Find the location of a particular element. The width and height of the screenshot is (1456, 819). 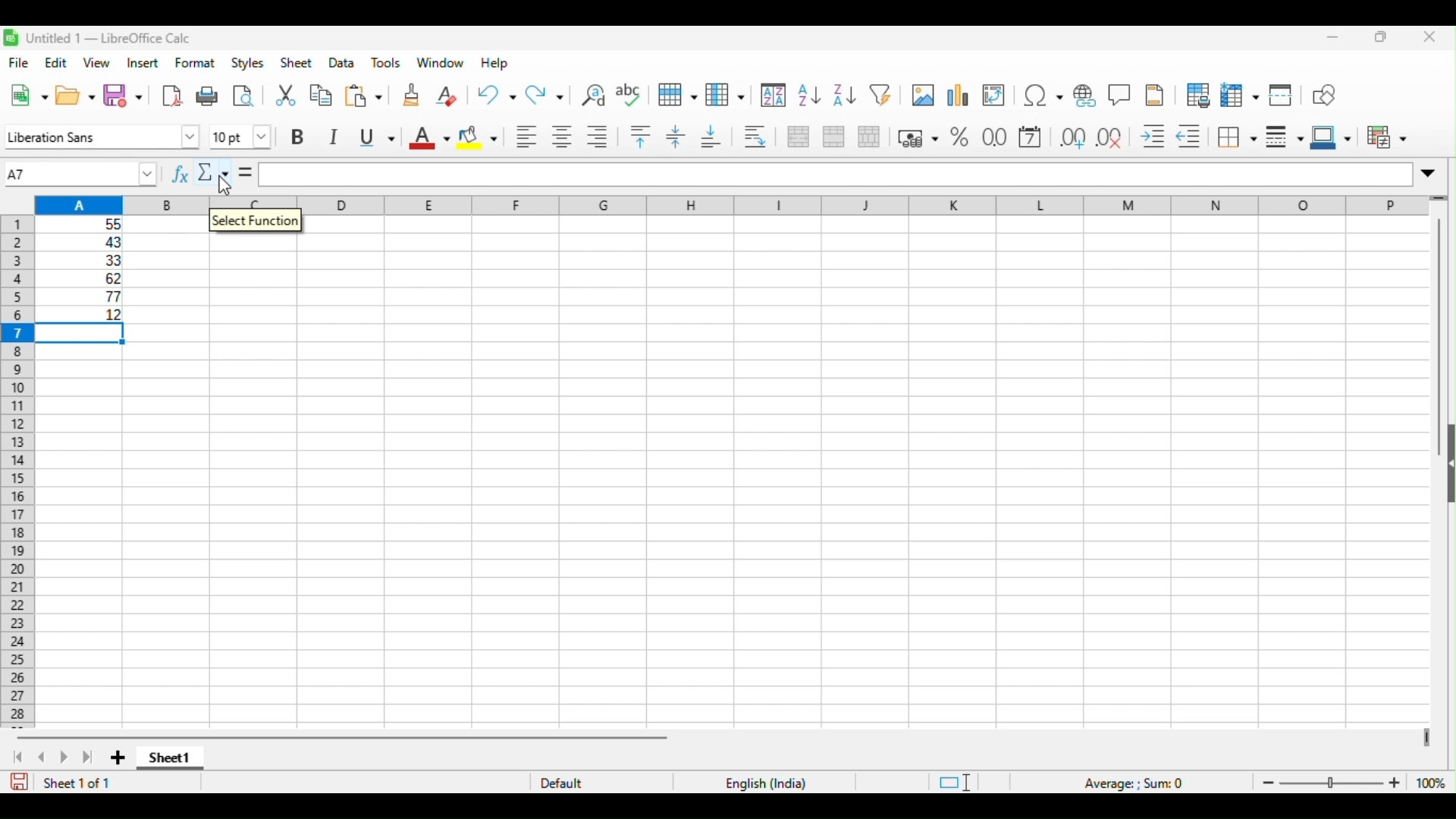

format as percentage is located at coordinates (961, 138).